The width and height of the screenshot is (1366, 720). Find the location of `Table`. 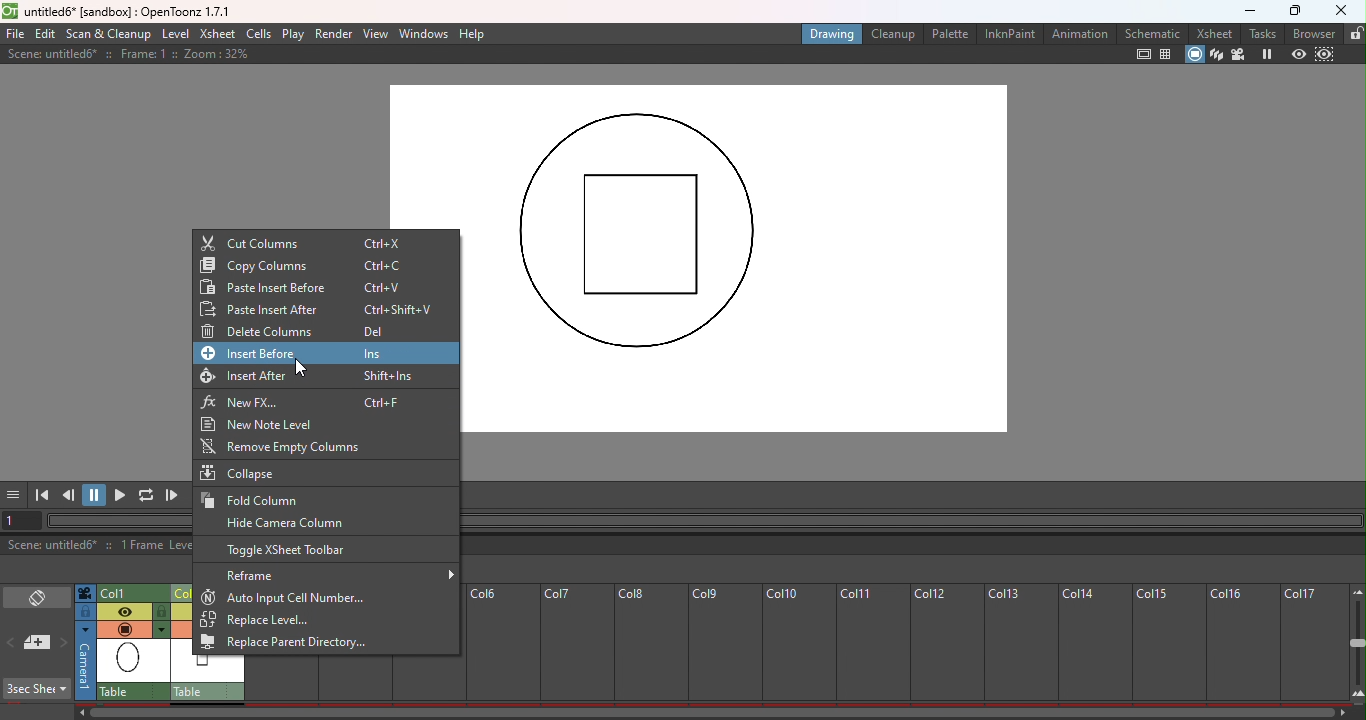

Table is located at coordinates (133, 692).